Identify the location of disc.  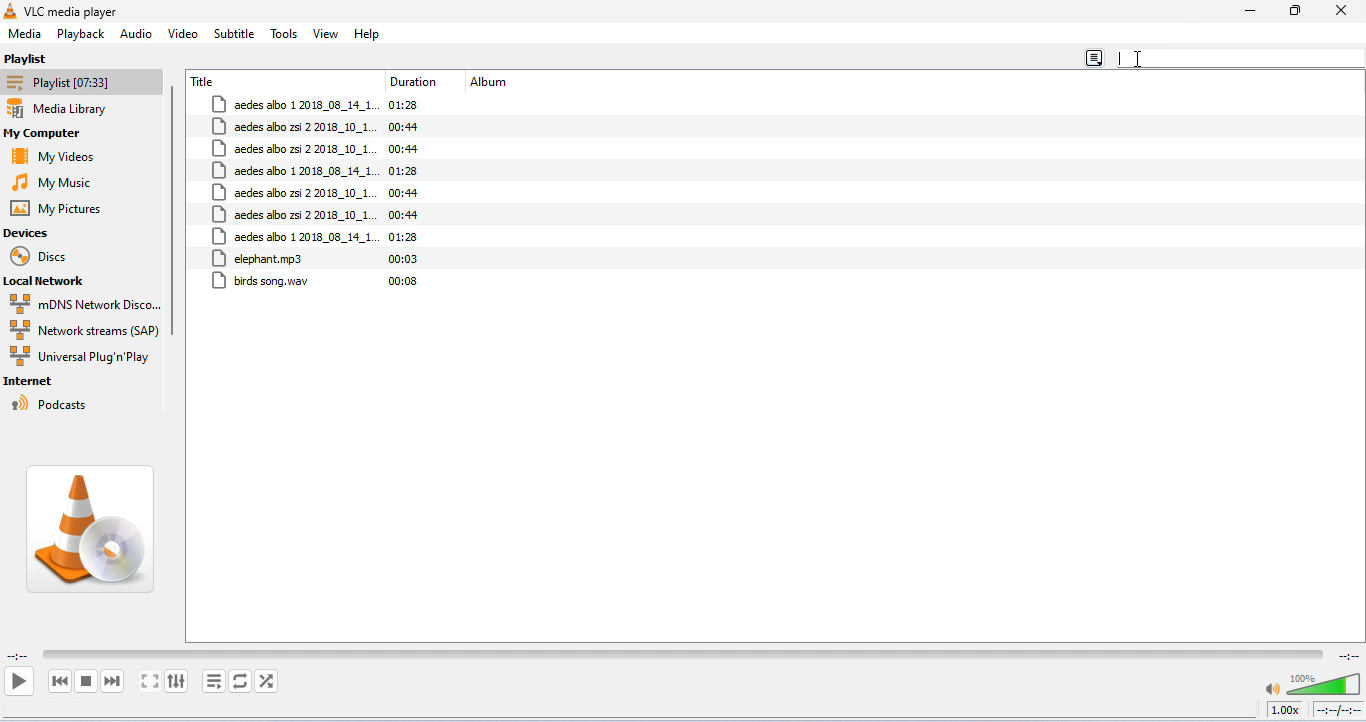
(44, 257).